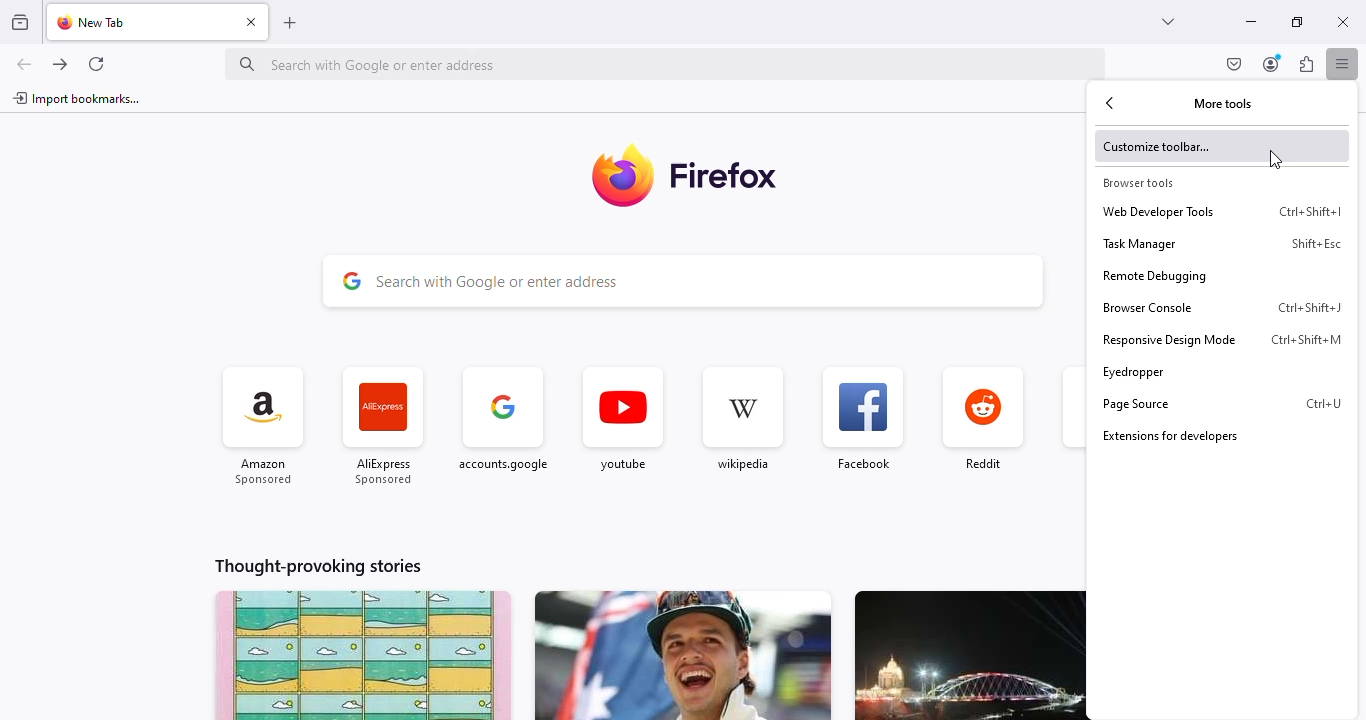 This screenshot has height=720, width=1366. I want to click on shortcut for web developer tools, so click(1310, 212).